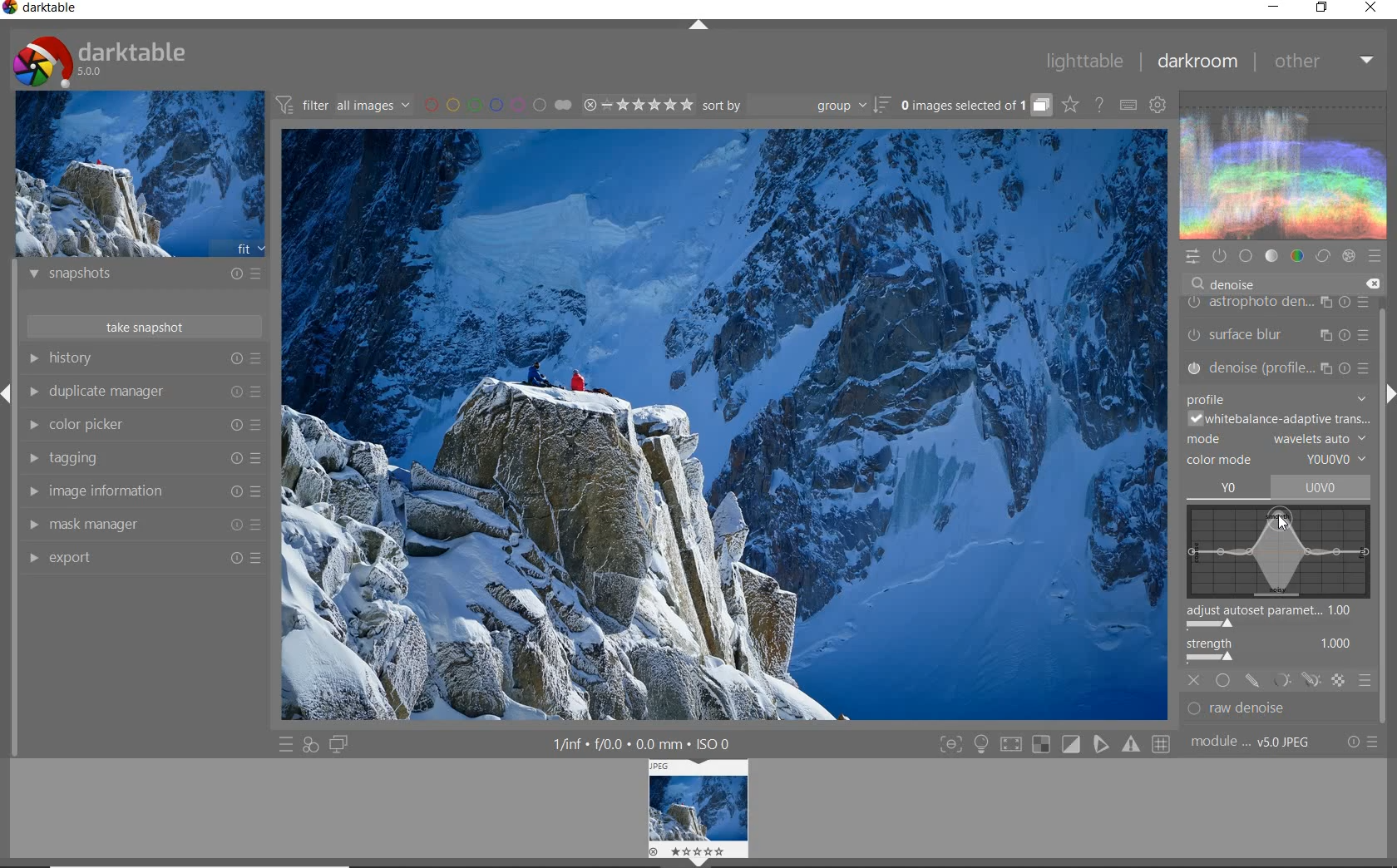  What do you see at coordinates (1279, 417) in the screenshot?
I see `WHITEBALANCE-ADAPTIVE TRANS...` at bounding box center [1279, 417].